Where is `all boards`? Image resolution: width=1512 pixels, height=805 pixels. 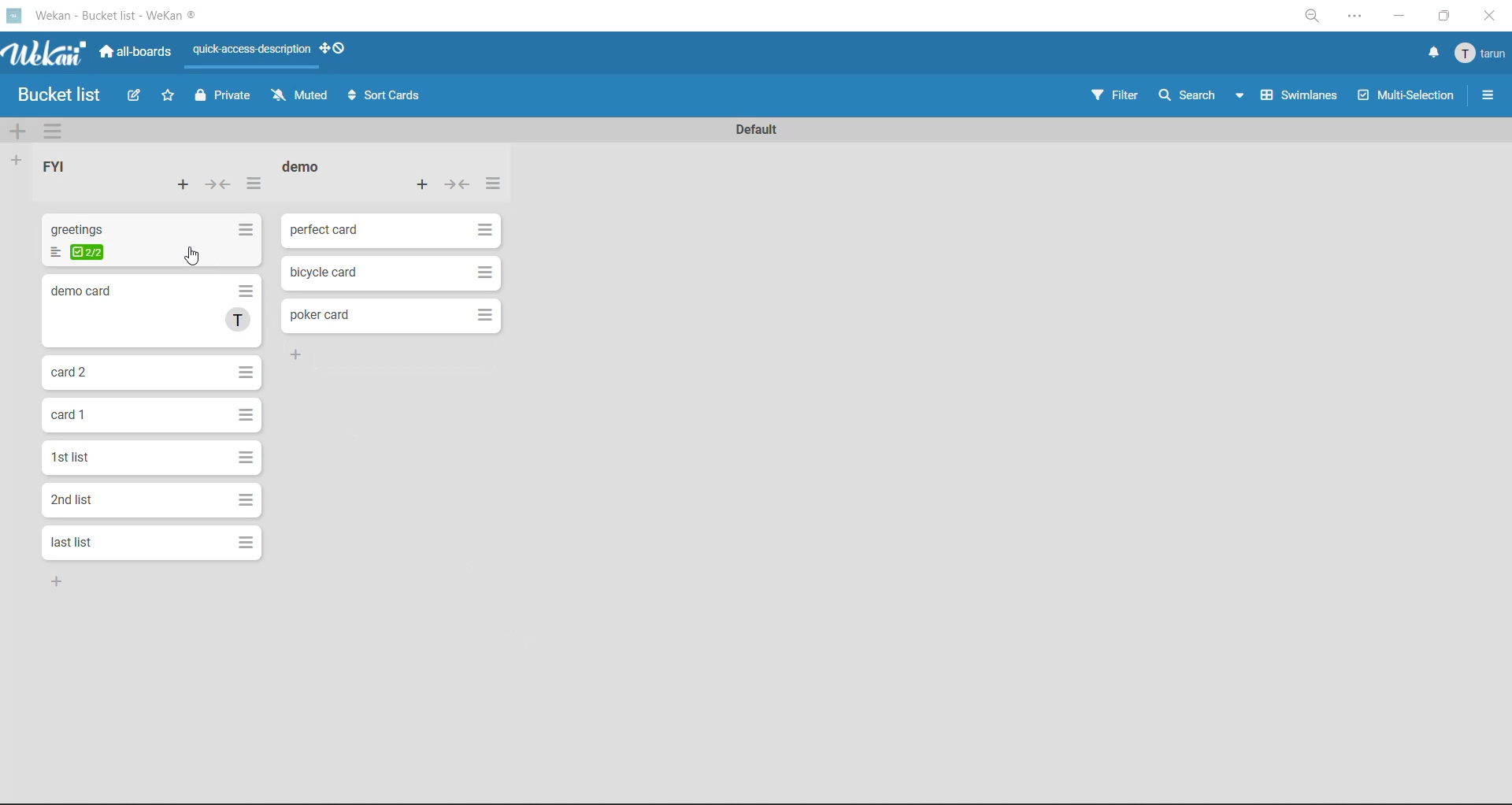 all boards is located at coordinates (142, 55).